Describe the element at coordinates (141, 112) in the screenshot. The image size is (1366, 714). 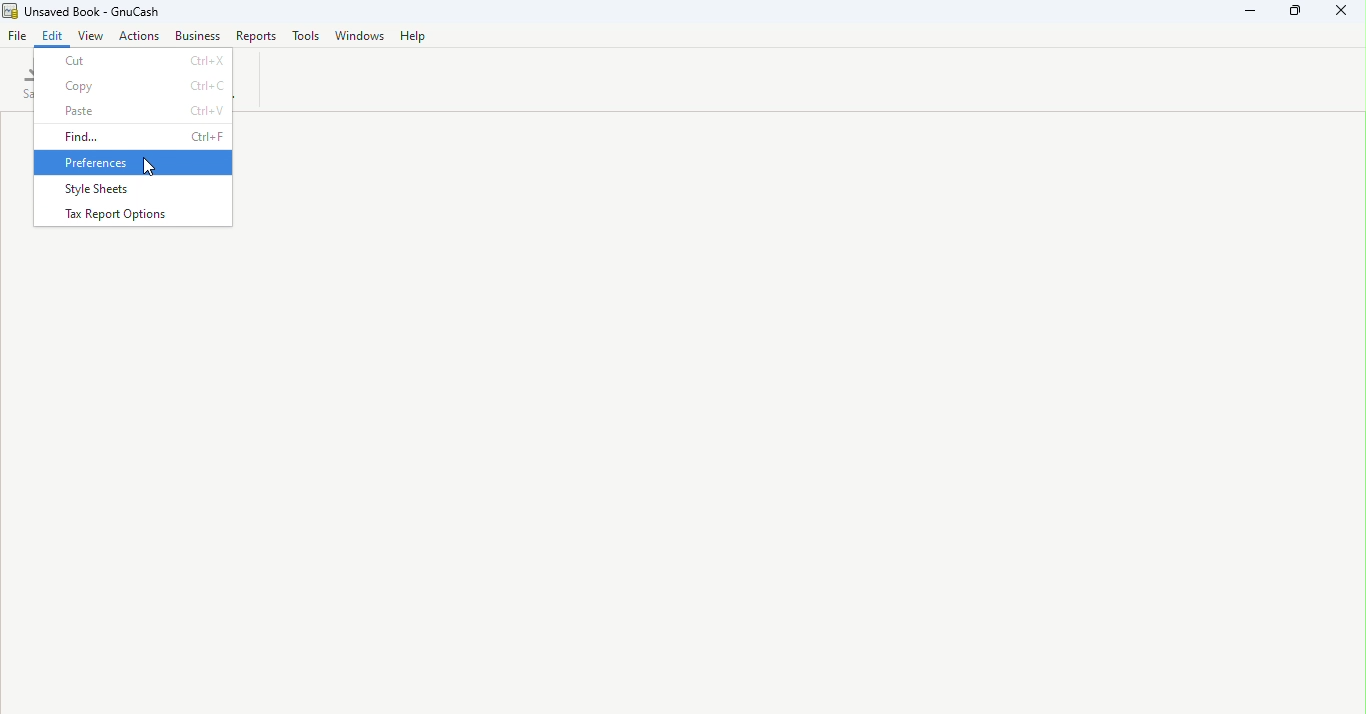
I see `Paste` at that location.